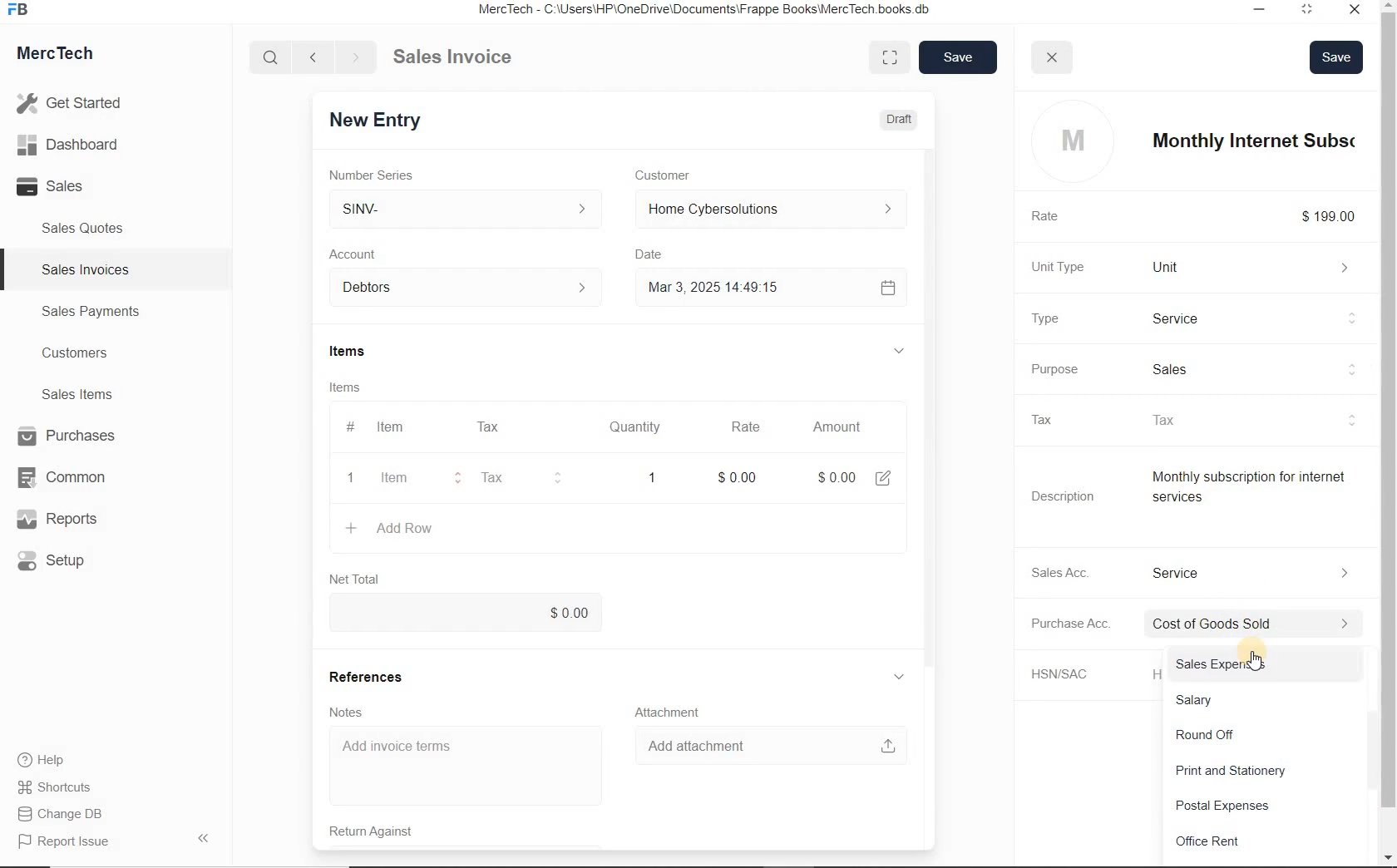 This screenshot has width=1397, height=868. I want to click on Items, so click(363, 387).